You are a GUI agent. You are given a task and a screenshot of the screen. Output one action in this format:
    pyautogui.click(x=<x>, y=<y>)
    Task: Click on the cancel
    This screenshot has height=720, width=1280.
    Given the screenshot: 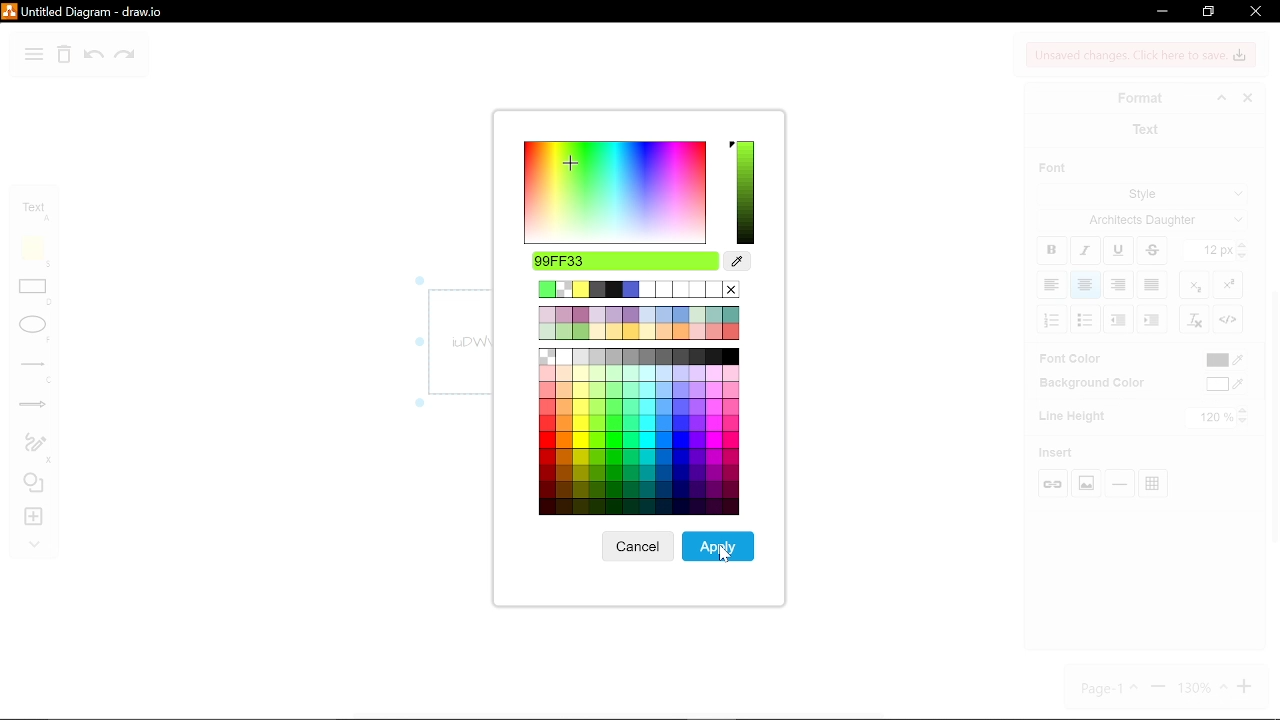 What is the action you would take?
    pyautogui.click(x=634, y=548)
    